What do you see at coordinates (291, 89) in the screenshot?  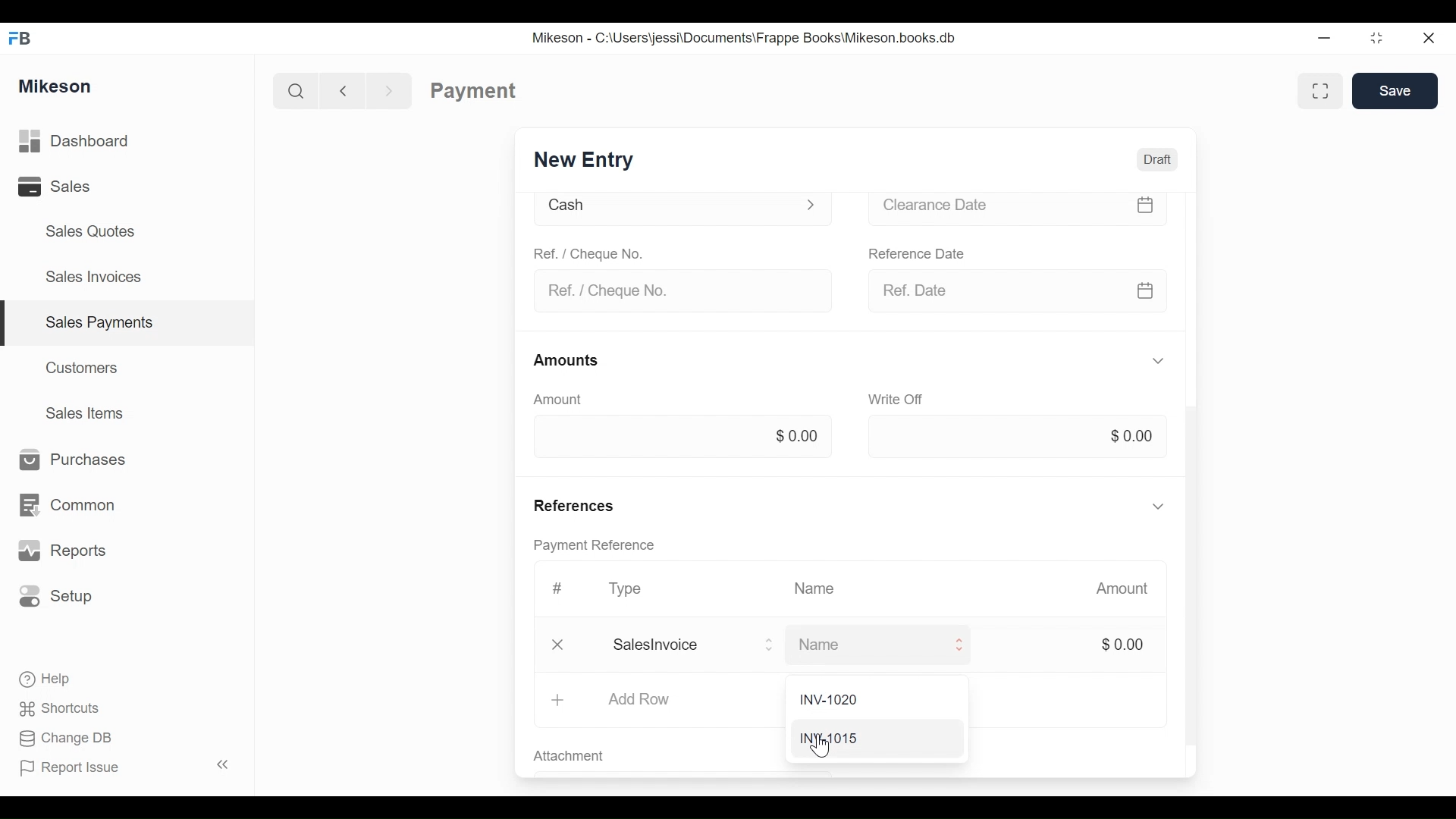 I see `Search` at bounding box center [291, 89].